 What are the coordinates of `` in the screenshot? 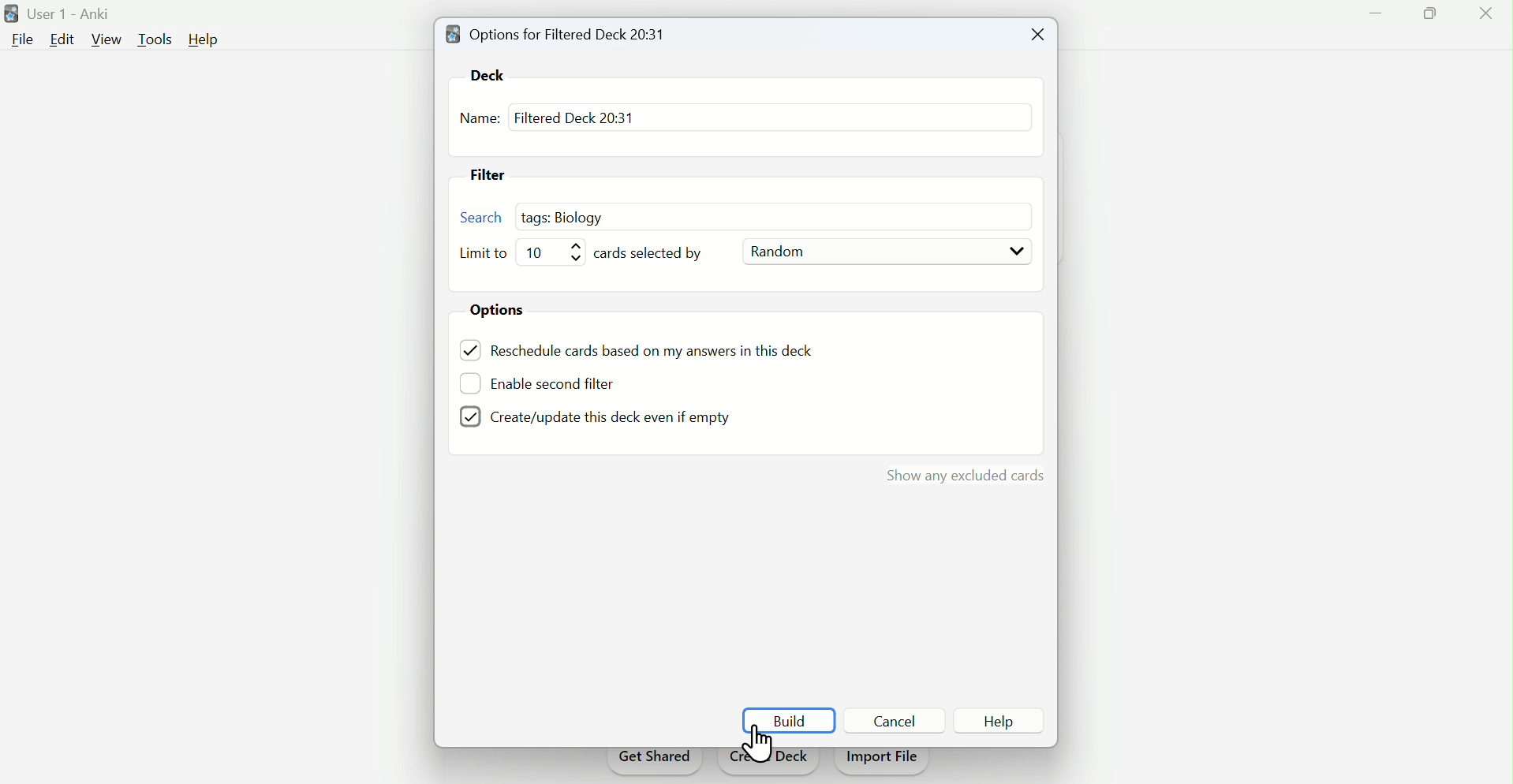 It's located at (1012, 722).